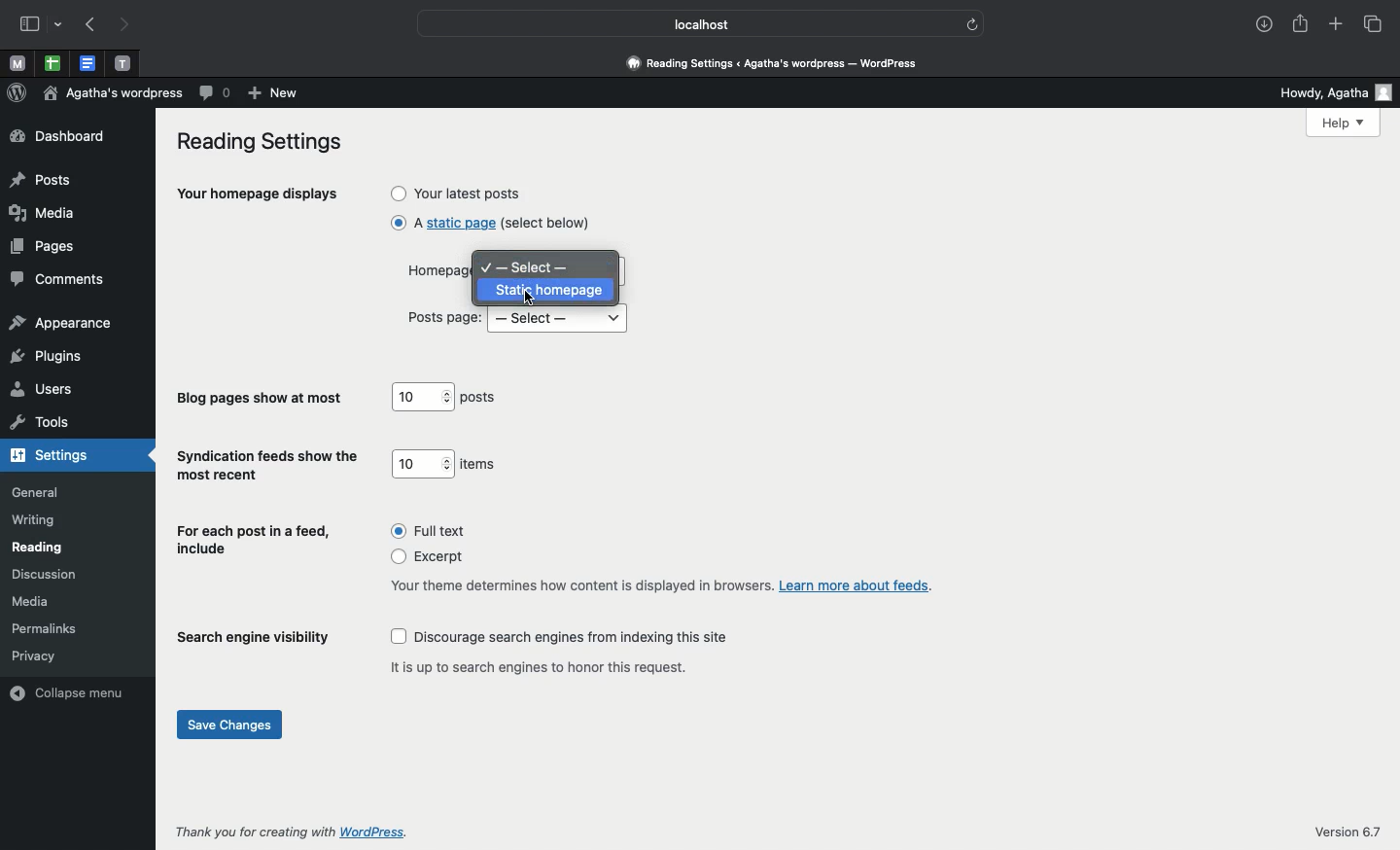 The height and width of the screenshot is (850, 1400). What do you see at coordinates (30, 24) in the screenshot?
I see `Sidebar` at bounding box center [30, 24].